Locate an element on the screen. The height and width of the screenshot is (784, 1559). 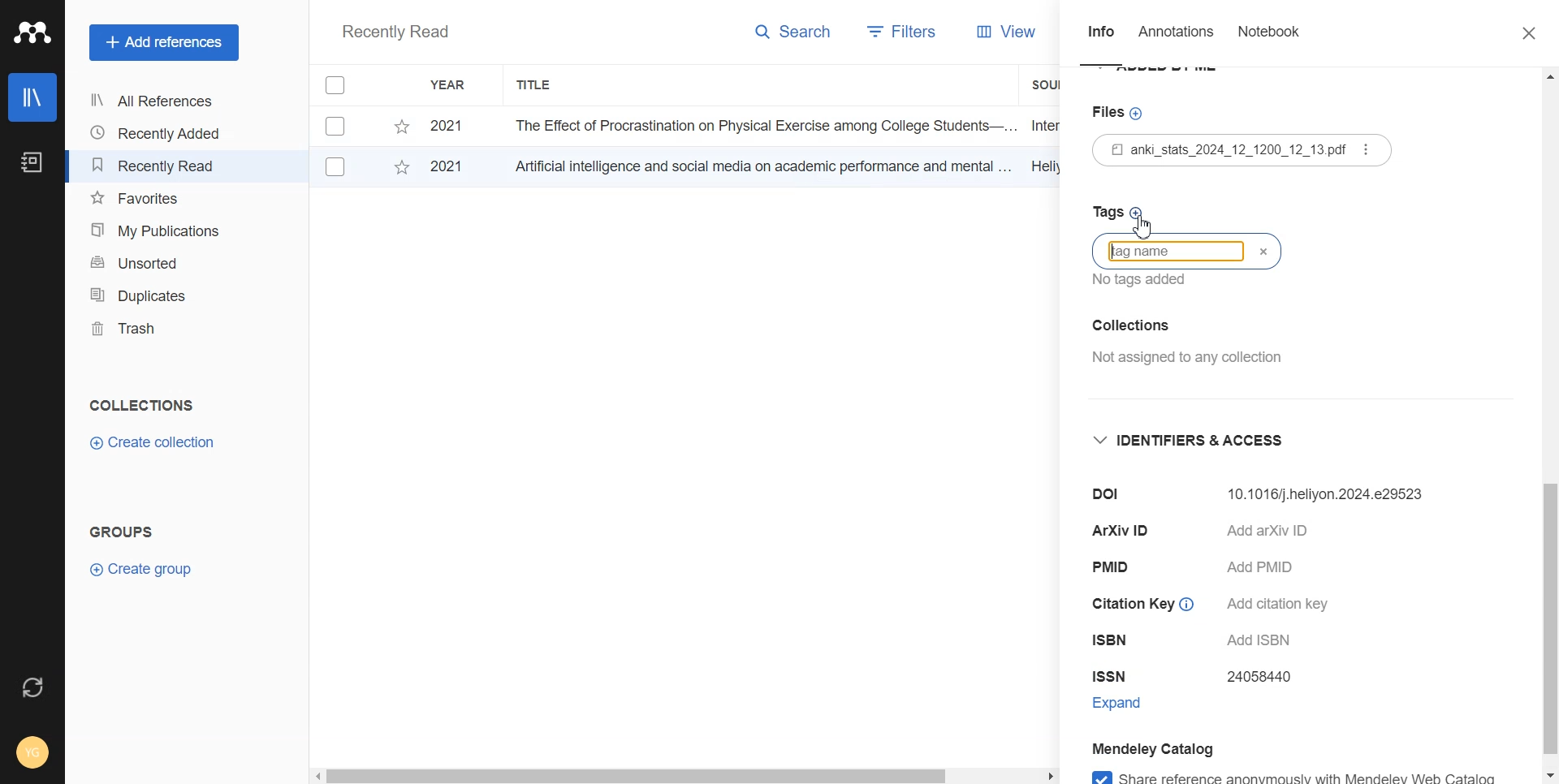
My Publications is located at coordinates (159, 230).